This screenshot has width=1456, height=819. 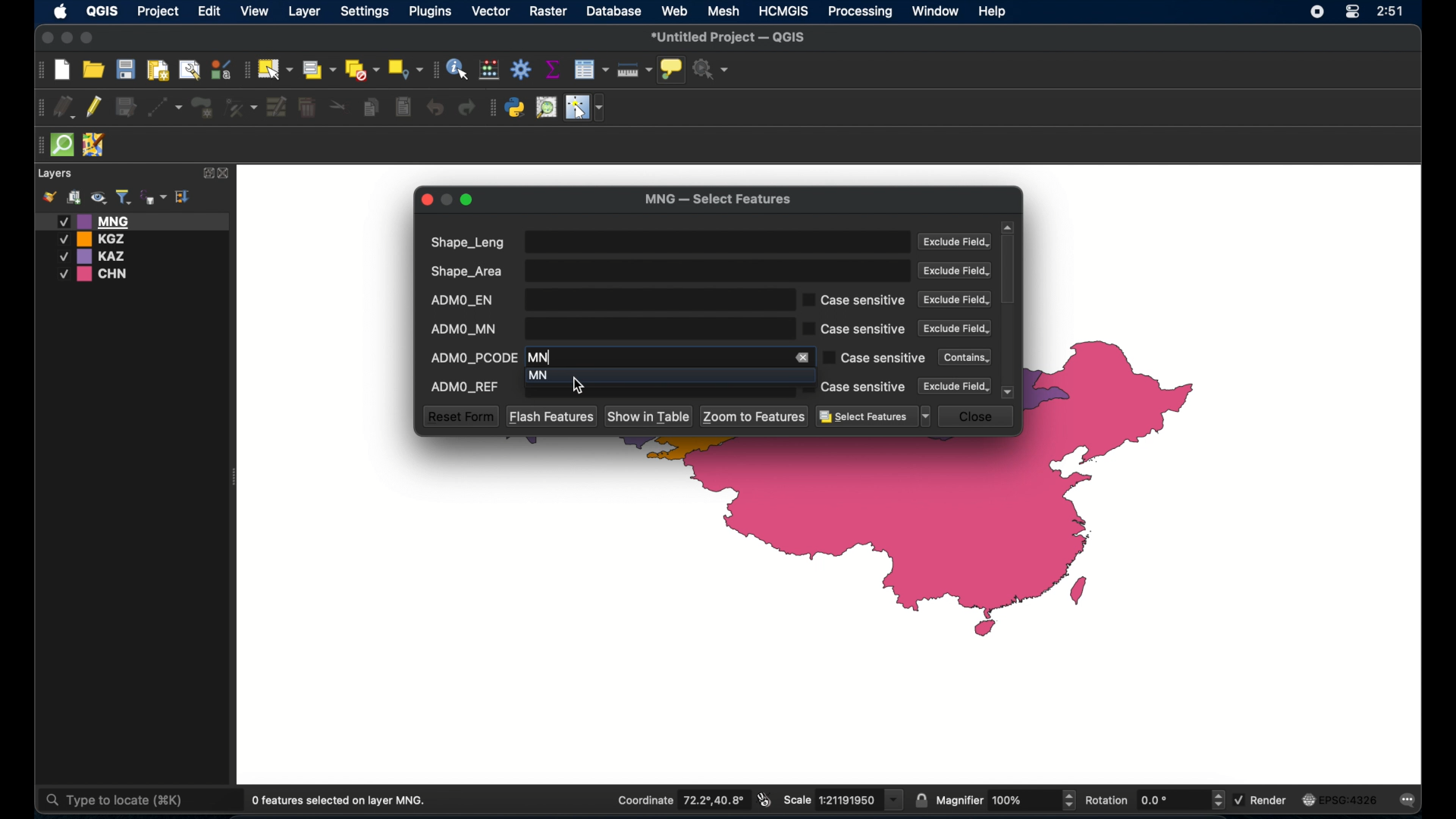 What do you see at coordinates (1389, 12) in the screenshot?
I see `2:51` at bounding box center [1389, 12].